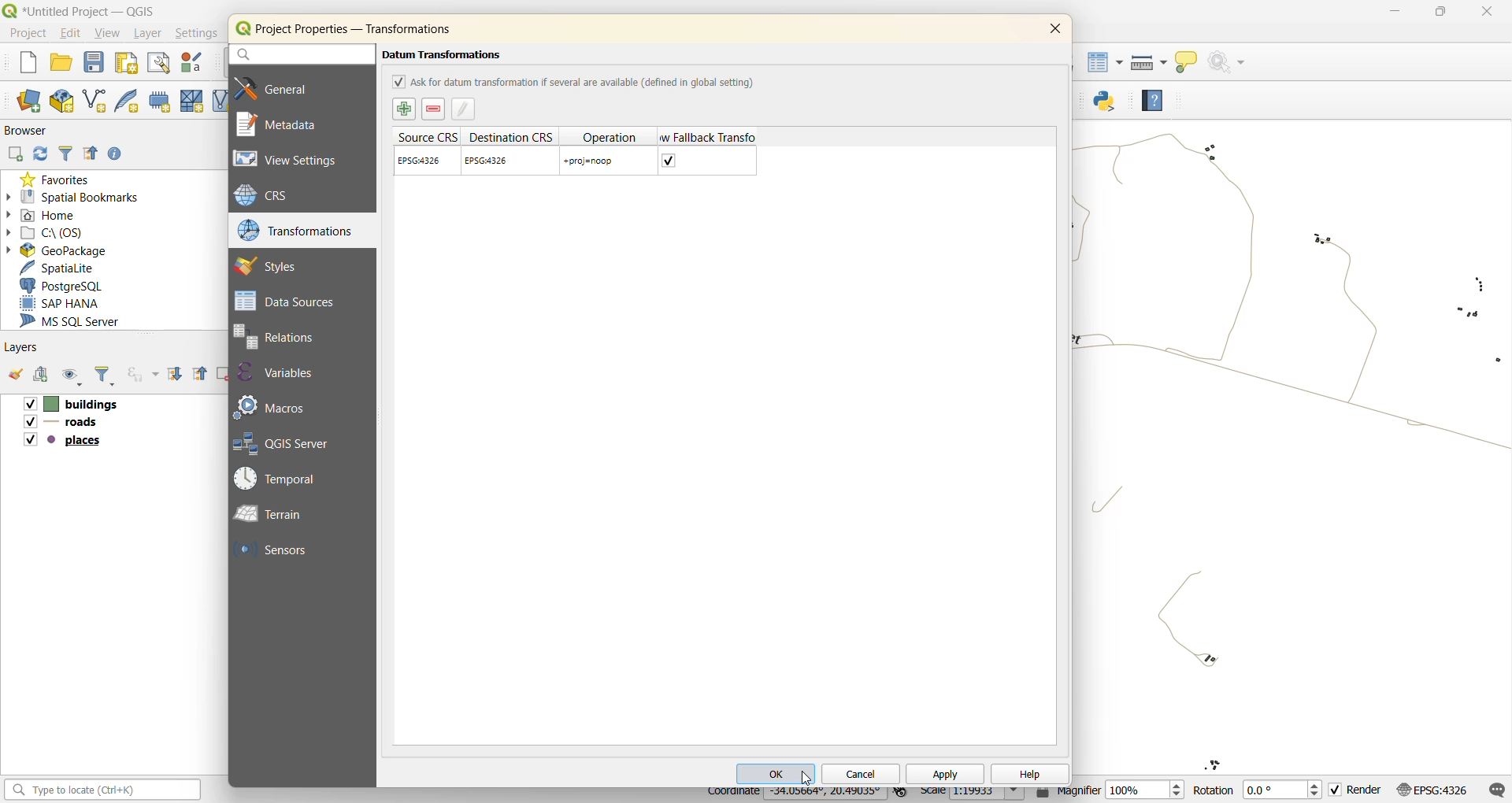 The width and height of the screenshot is (1512, 803). What do you see at coordinates (1110, 103) in the screenshot?
I see `python` at bounding box center [1110, 103].